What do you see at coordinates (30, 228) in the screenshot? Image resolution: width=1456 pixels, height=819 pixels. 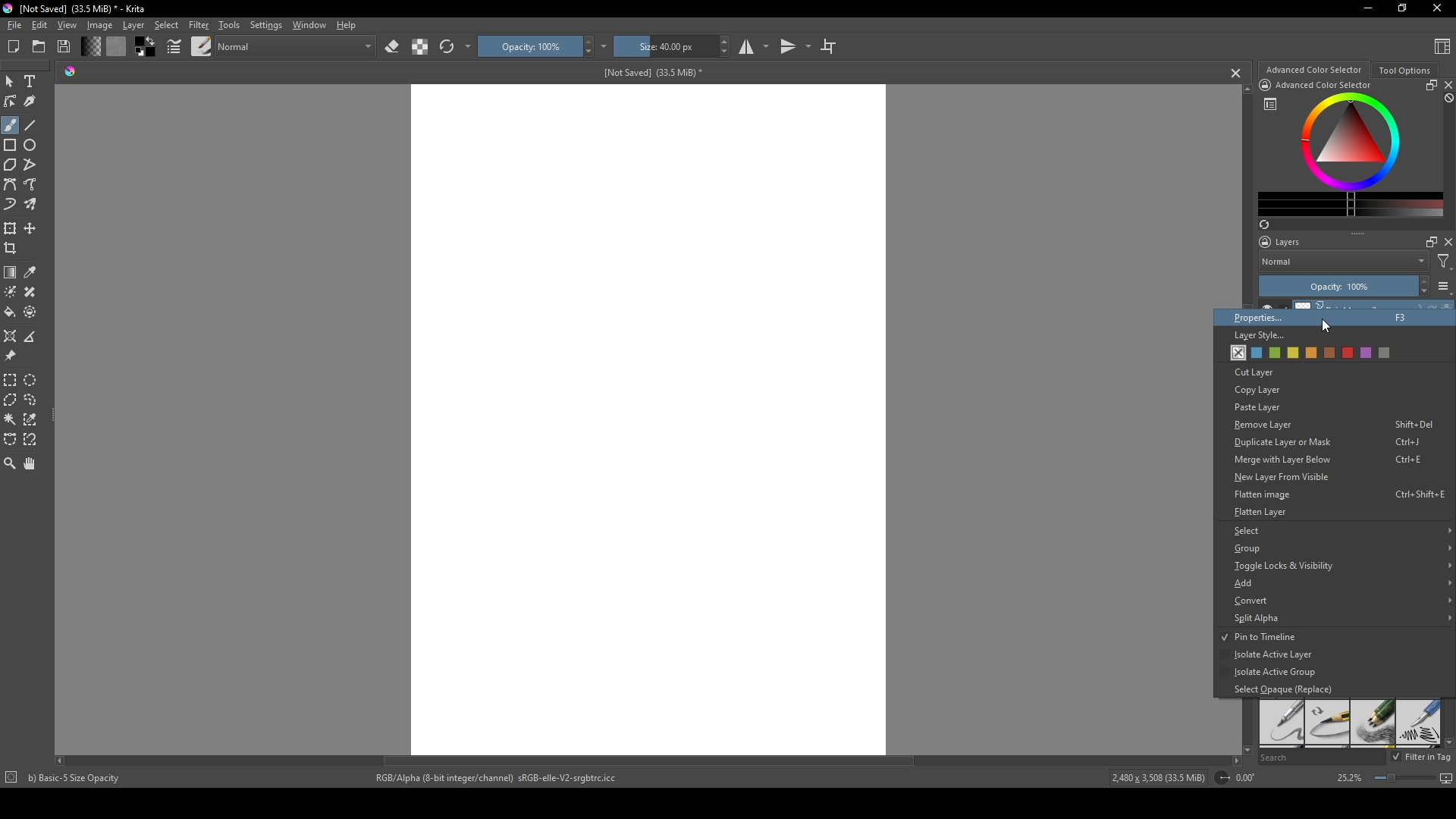 I see `move layer` at bounding box center [30, 228].